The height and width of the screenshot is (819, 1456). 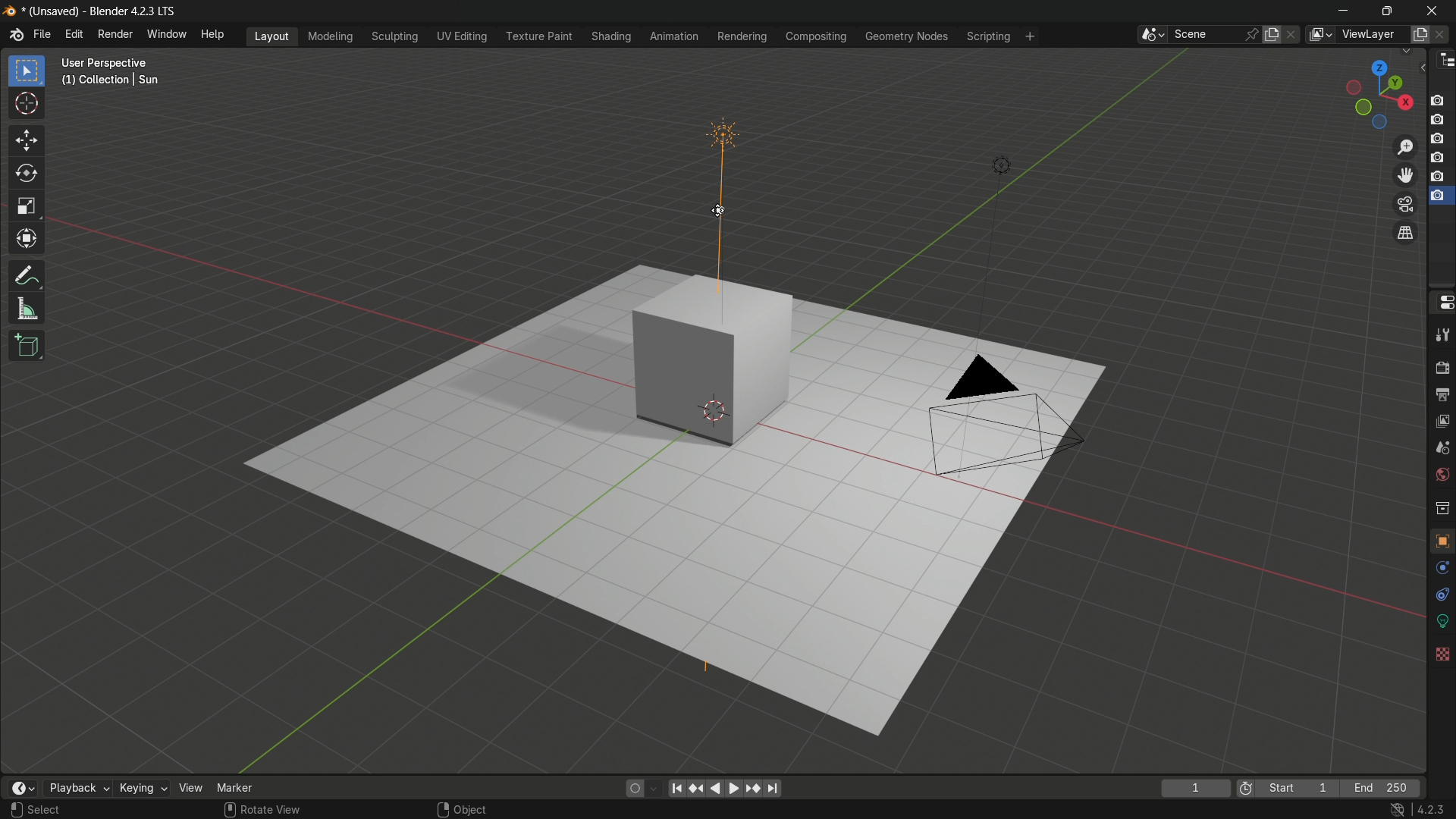 What do you see at coordinates (14, 808) in the screenshot?
I see `left click` at bounding box center [14, 808].